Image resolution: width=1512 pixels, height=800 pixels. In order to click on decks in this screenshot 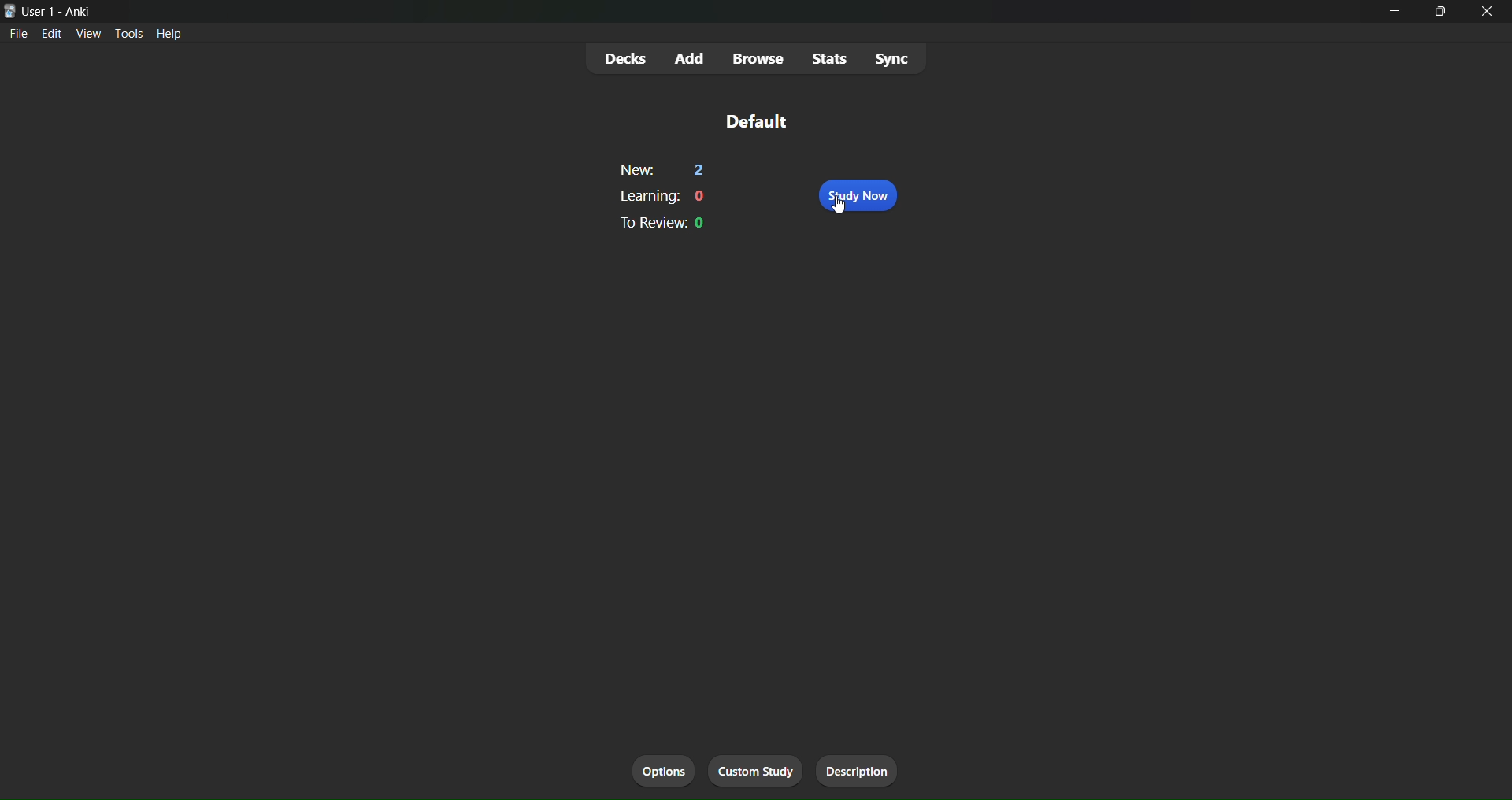, I will do `click(624, 58)`.